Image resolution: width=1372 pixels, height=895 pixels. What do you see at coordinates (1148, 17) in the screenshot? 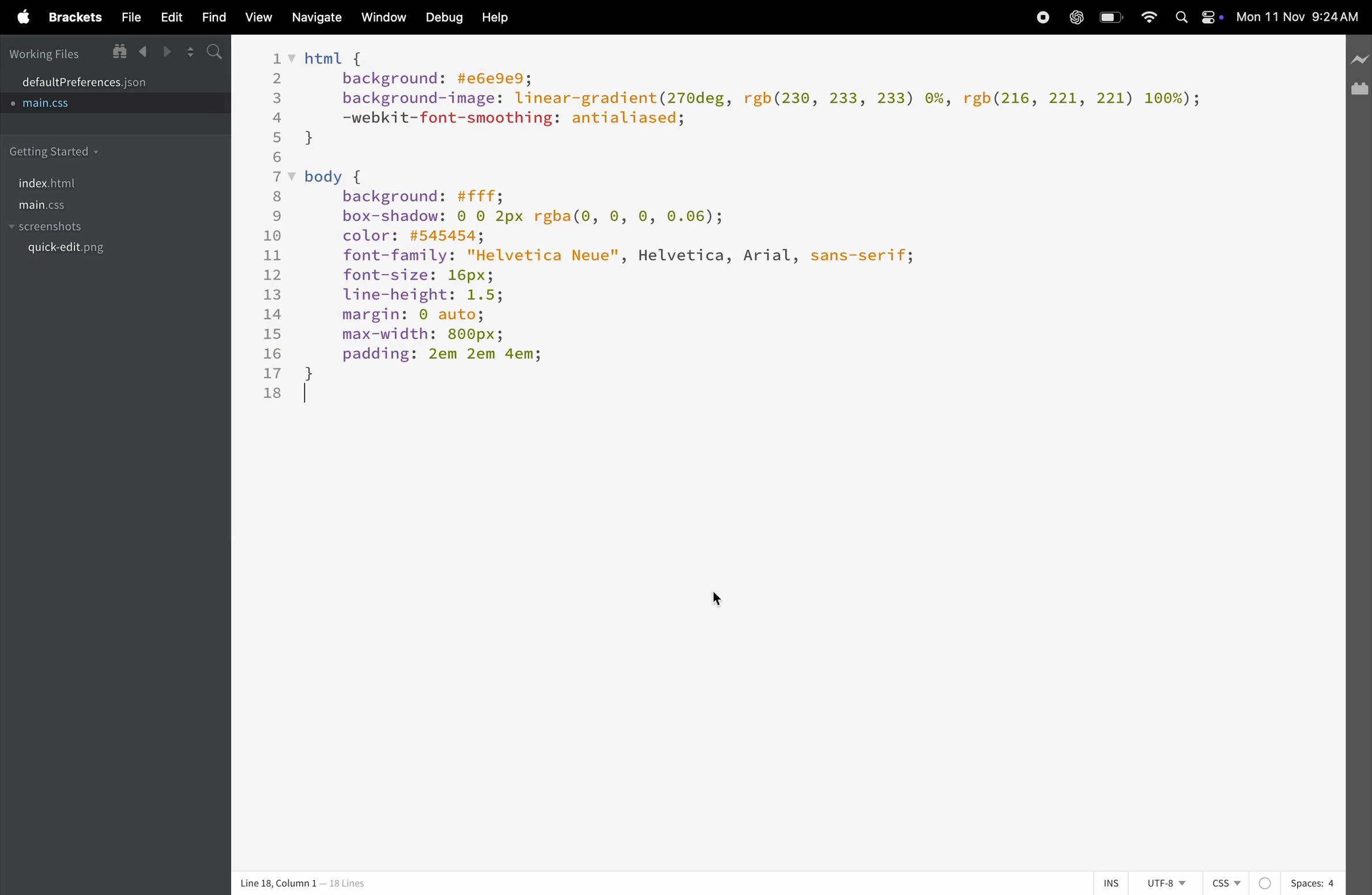
I see `wifi` at bounding box center [1148, 17].